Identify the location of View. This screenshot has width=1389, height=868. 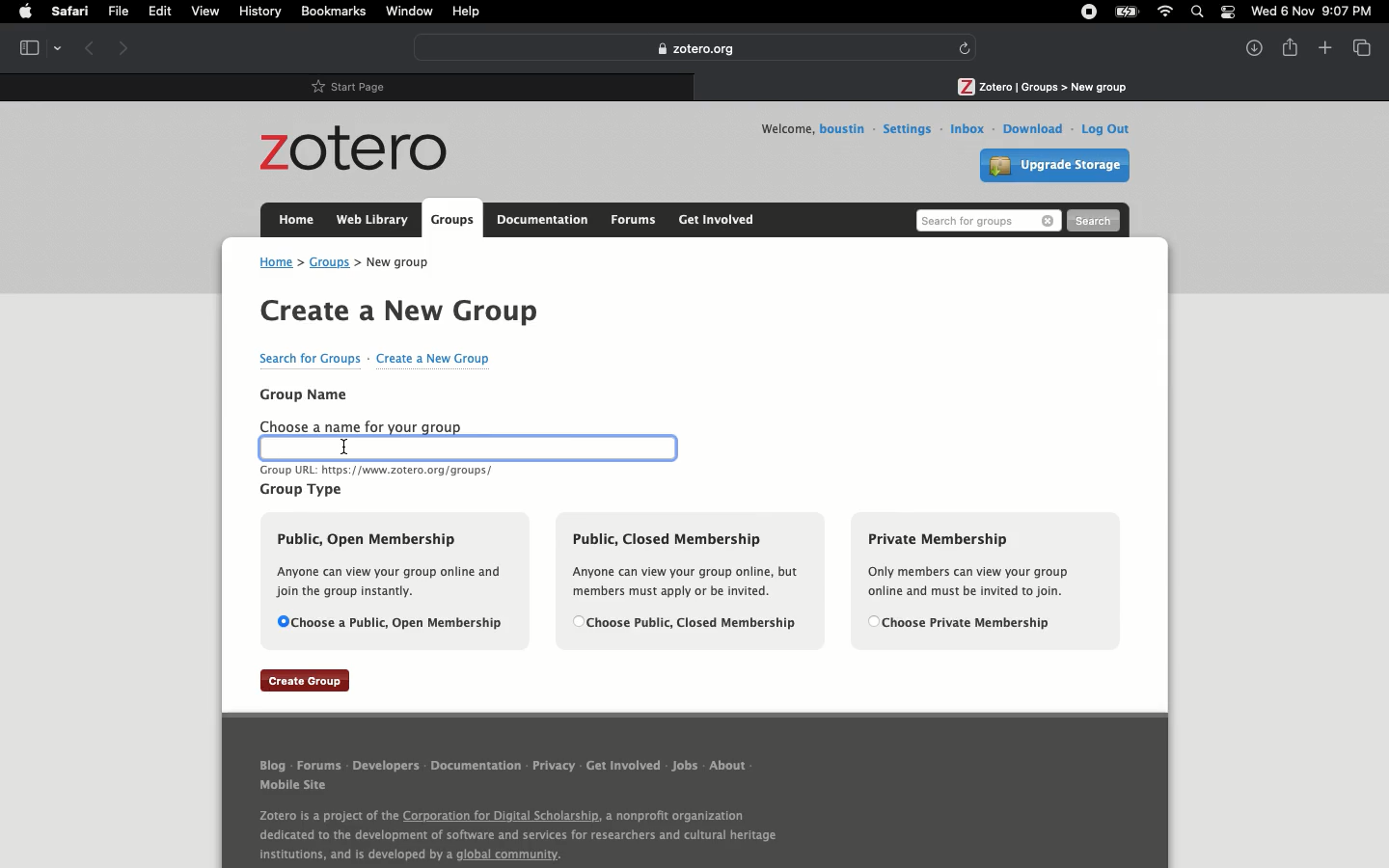
(1360, 46).